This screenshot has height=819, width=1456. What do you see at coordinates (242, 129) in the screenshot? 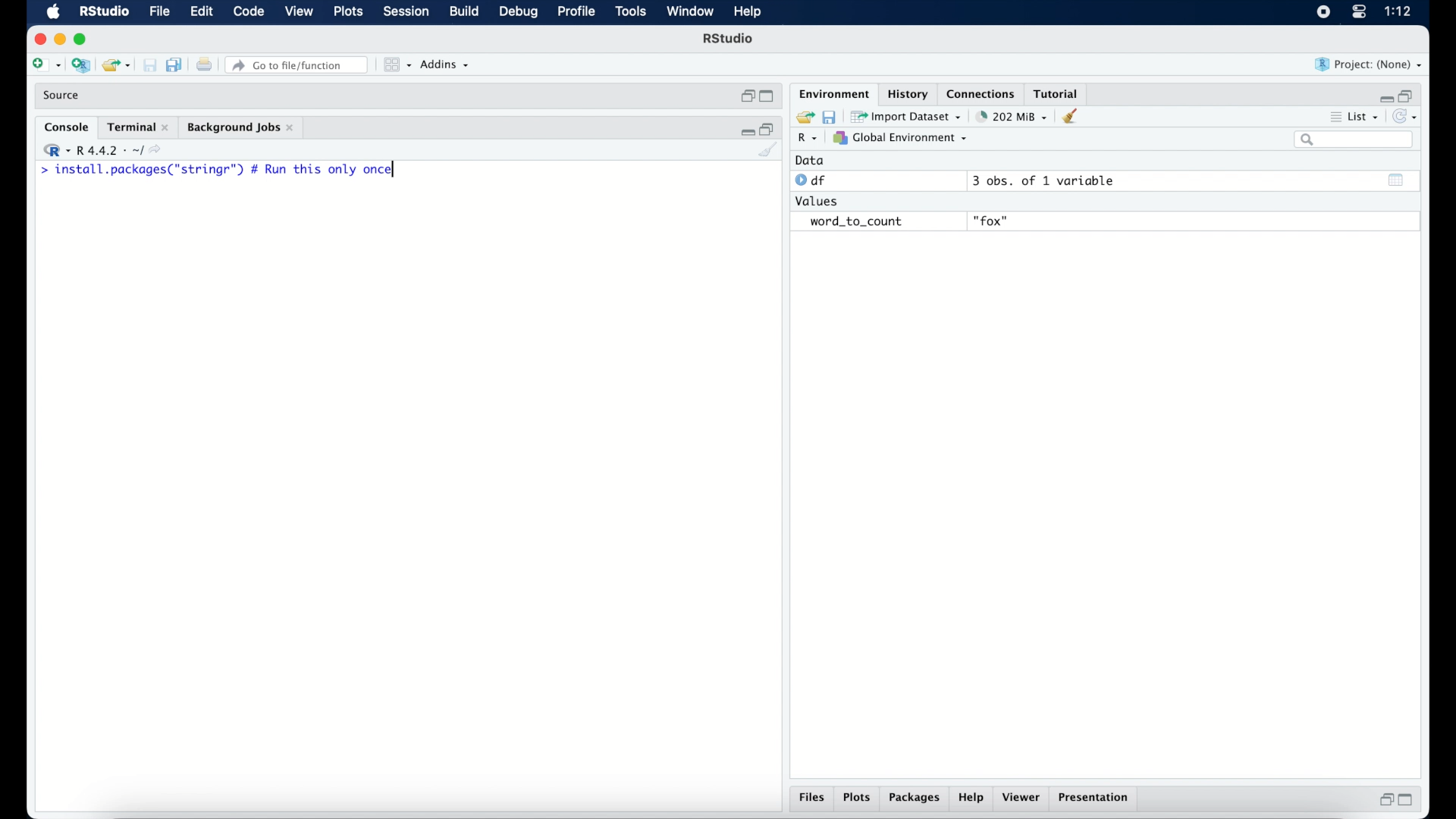
I see `background jobs` at bounding box center [242, 129].